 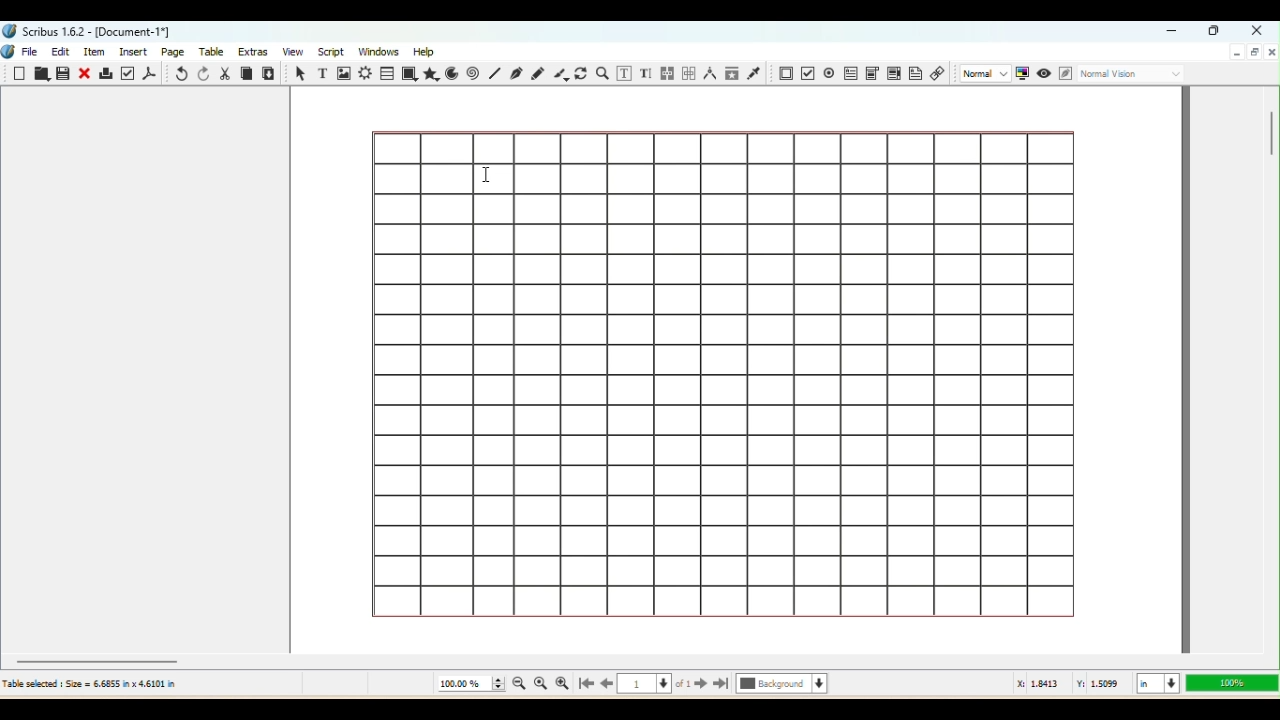 I want to click on Go to the next page, so click(x=701, y=685).